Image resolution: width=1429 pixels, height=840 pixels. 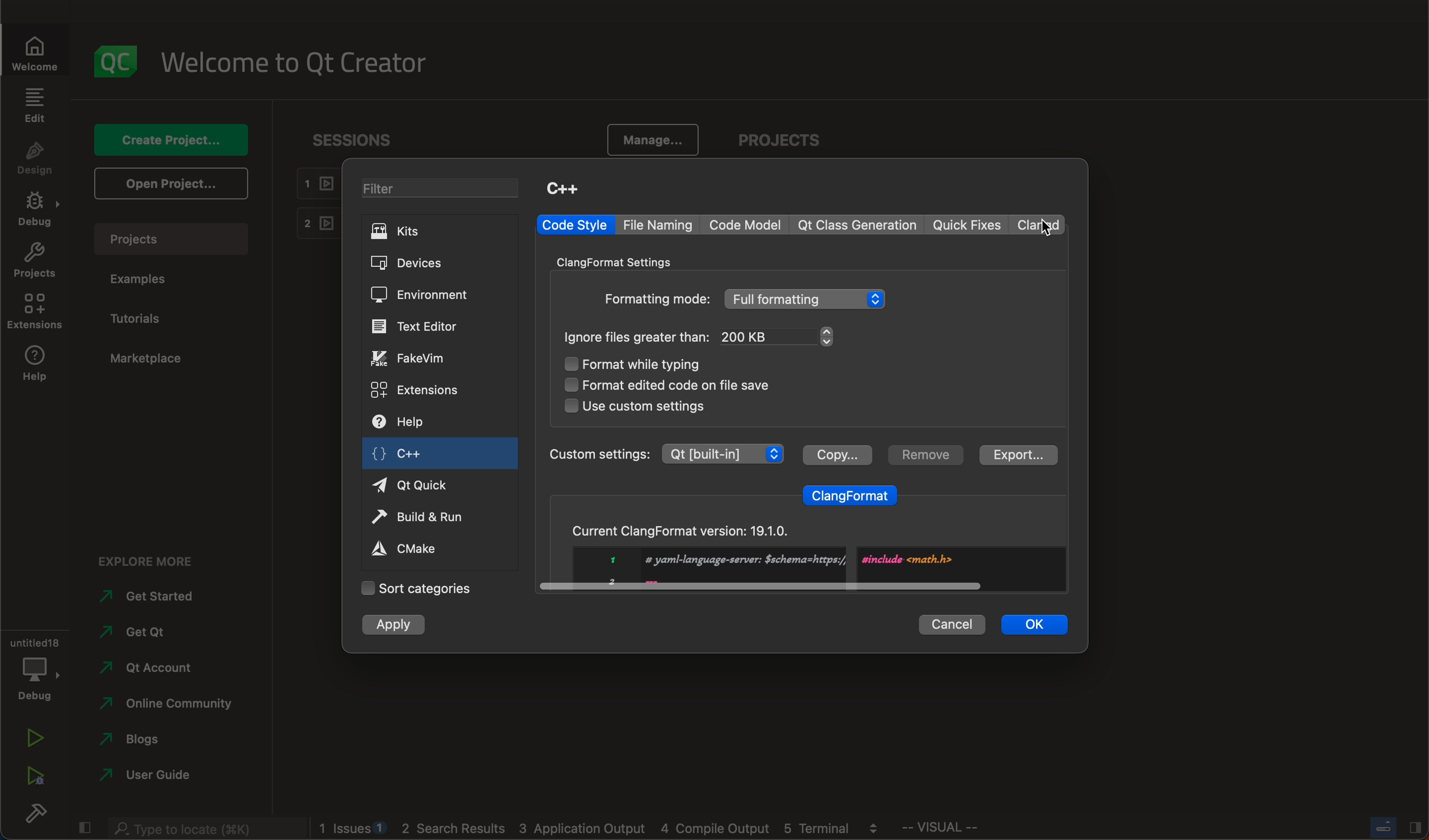 What do you see at coordinates (203, 829) in the screenshot?
I see `searchbar` at bounding box center [203, 829].